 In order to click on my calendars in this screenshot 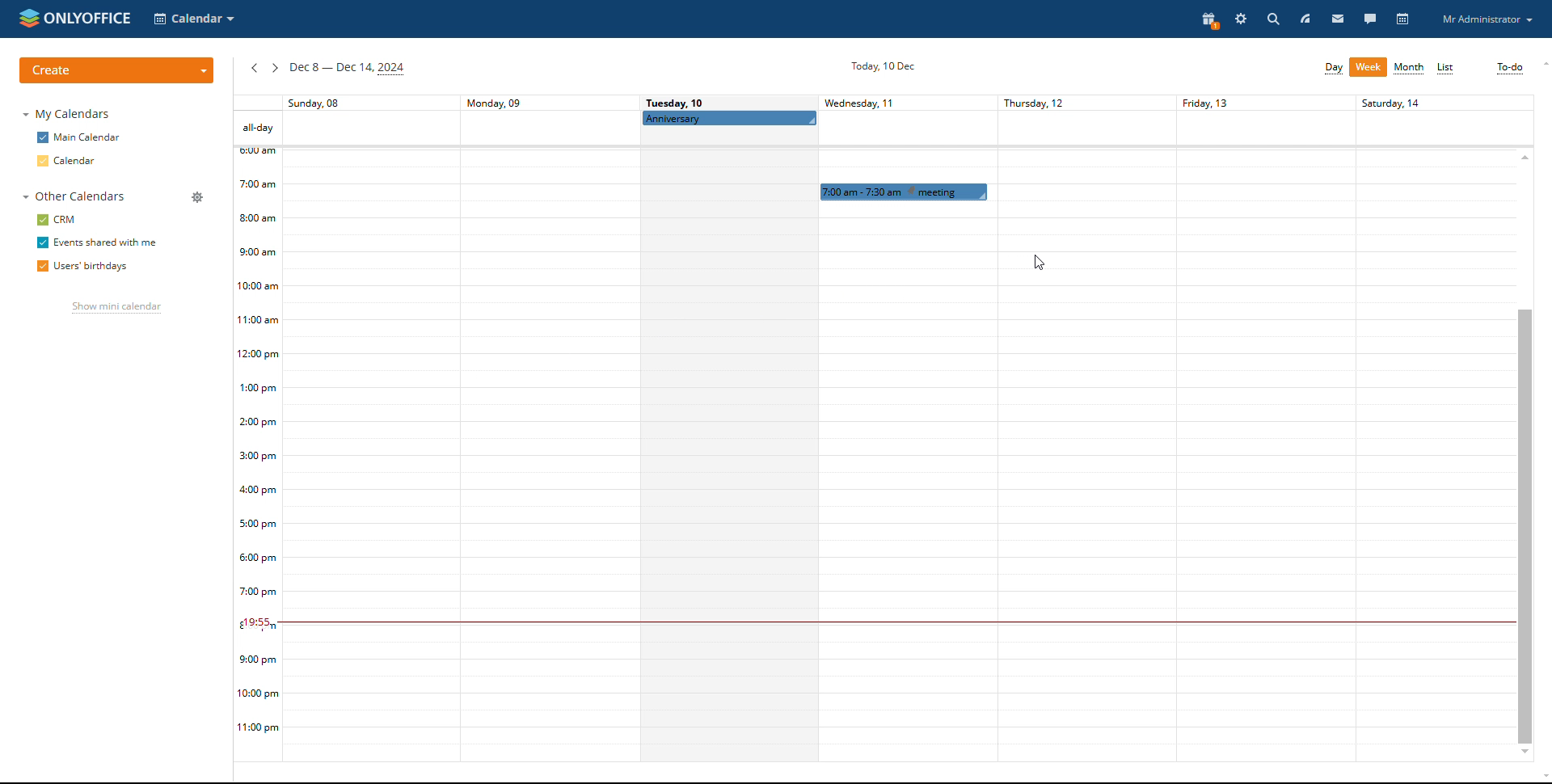, I will do `click(70, 115)`.